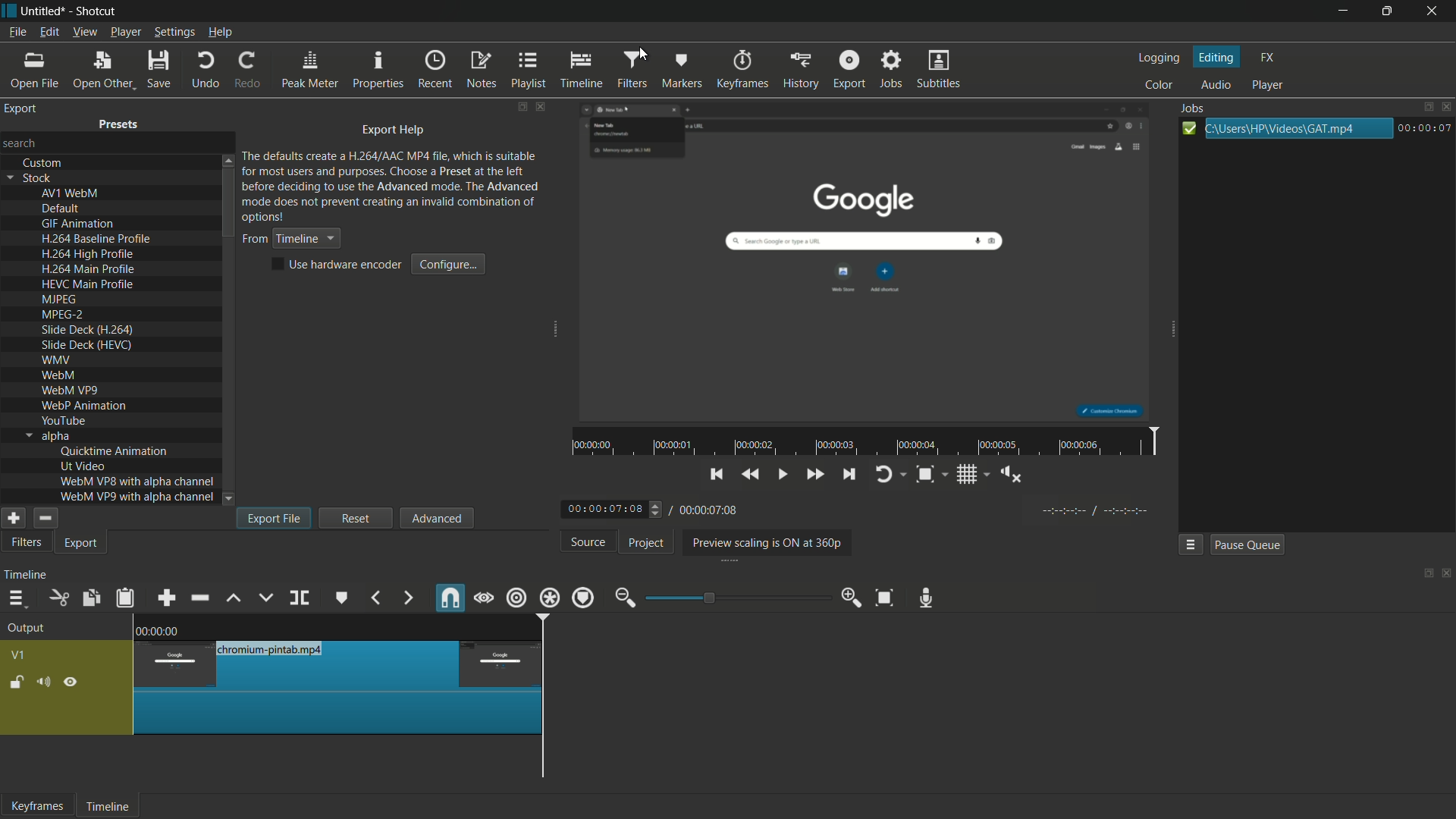 The height and width of the screenshot is (819, 1456). I want to click on 0.05, so click(440, 629).